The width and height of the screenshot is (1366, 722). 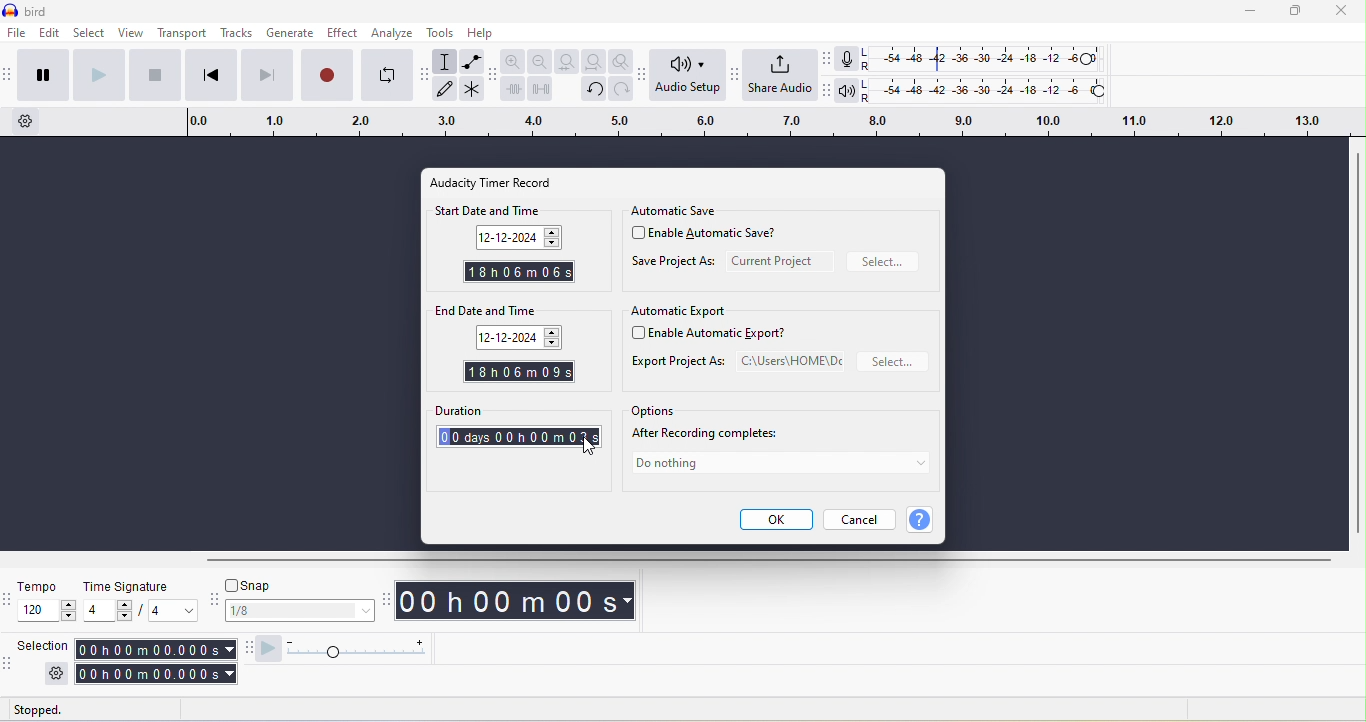 What do you see at coordinates (449, 91) in the screenshot?
I see `draw tool` at bounding box center [449, 91].